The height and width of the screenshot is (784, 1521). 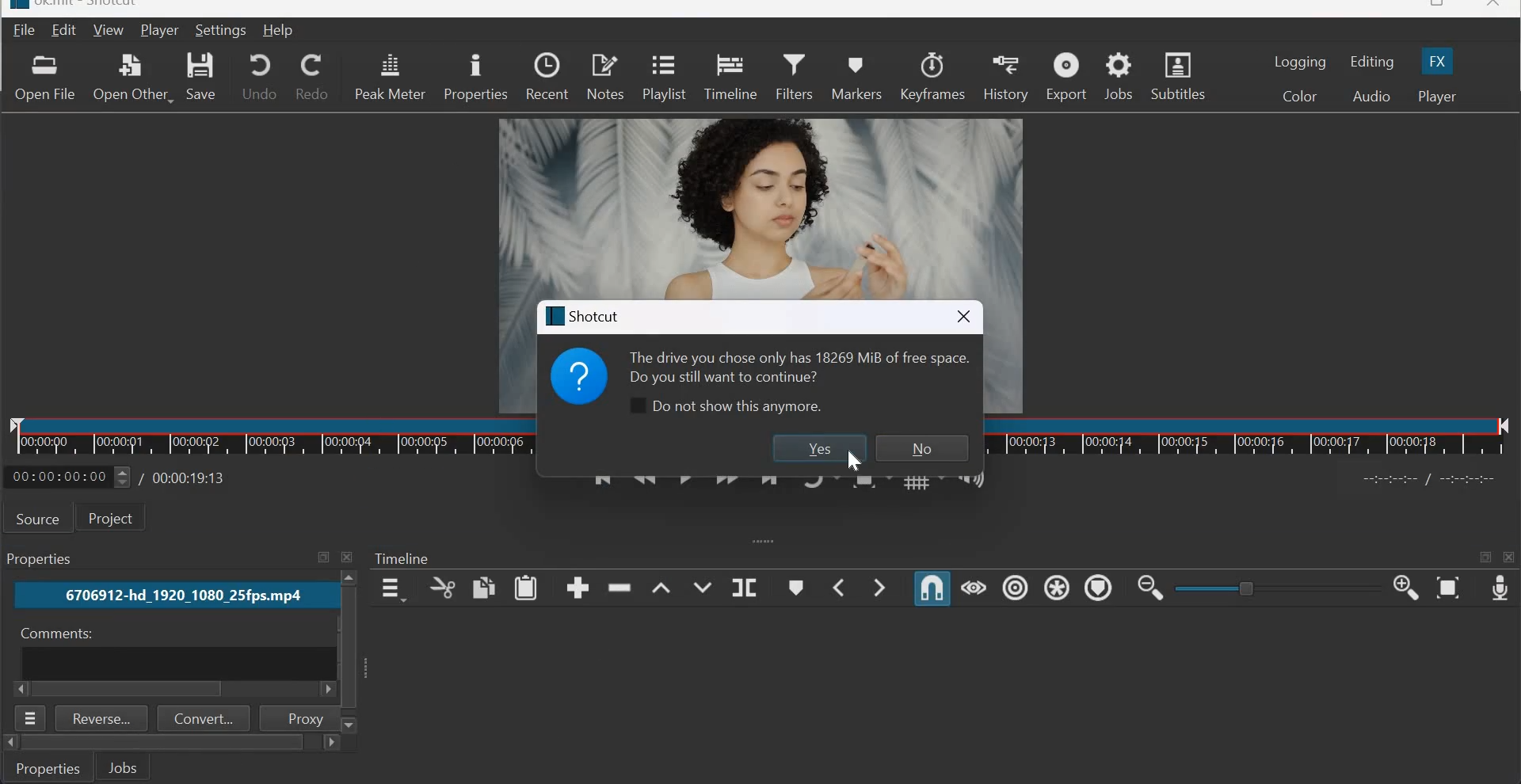 I want to click on Previous Marker, so click(x=840, y=587).